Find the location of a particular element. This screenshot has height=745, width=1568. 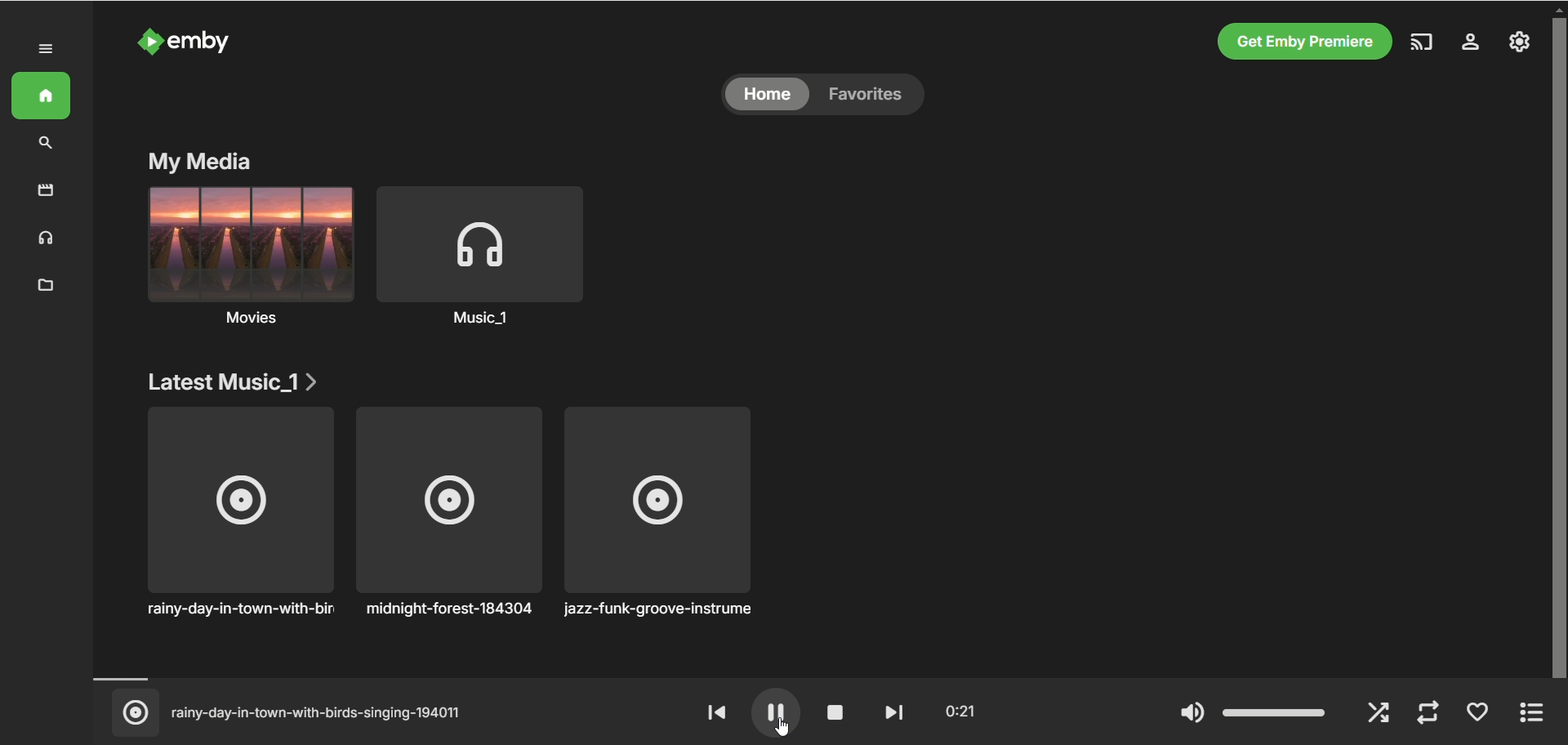

latest music is located at coordinates (236, 382).